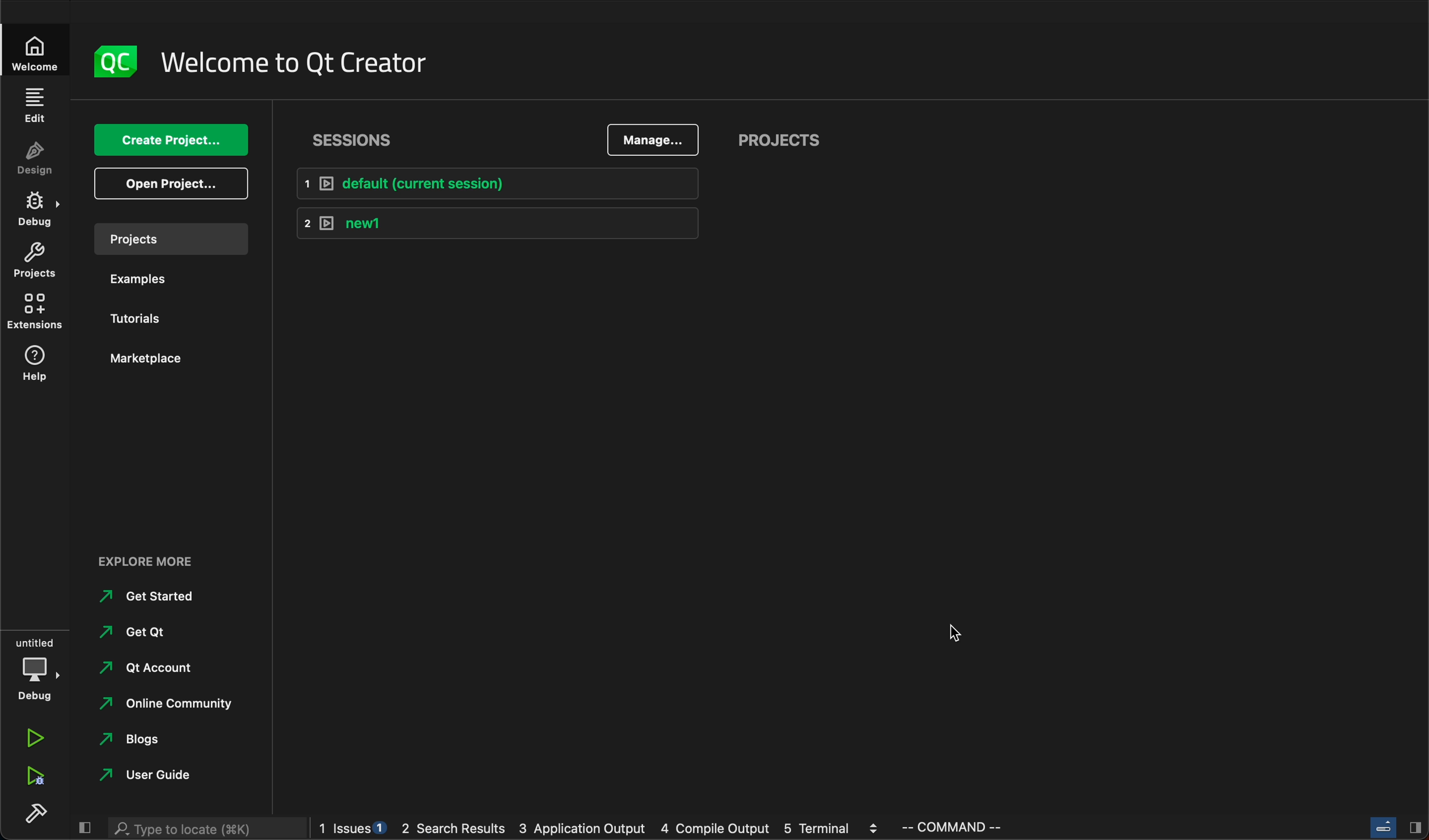  What do you see at coordinates (155, 597) in the screenshot?
I see `started` at bounding box center [155, 597].